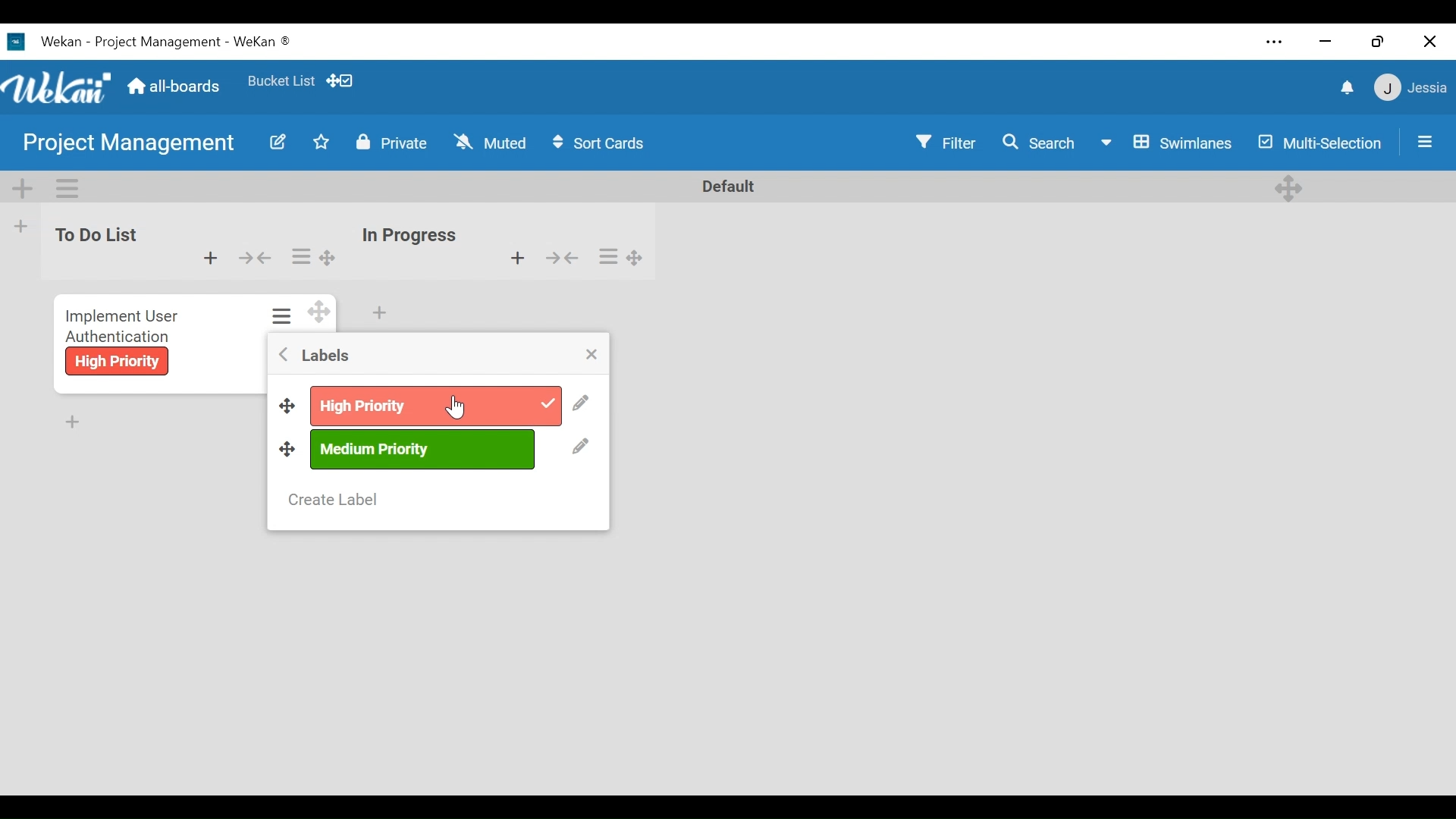  I want to click on restore, so click(1381, 42).